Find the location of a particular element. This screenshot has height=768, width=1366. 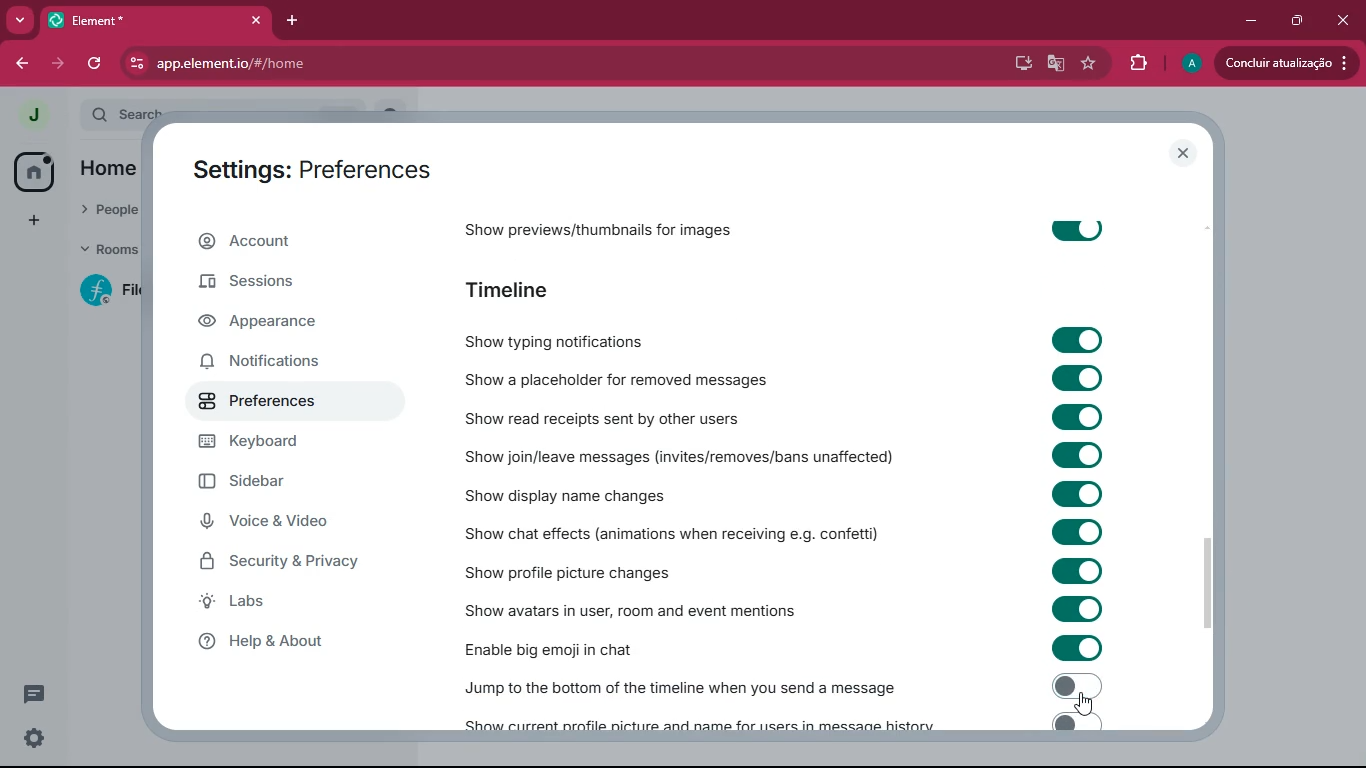

search is located at coordinates (133, 110).